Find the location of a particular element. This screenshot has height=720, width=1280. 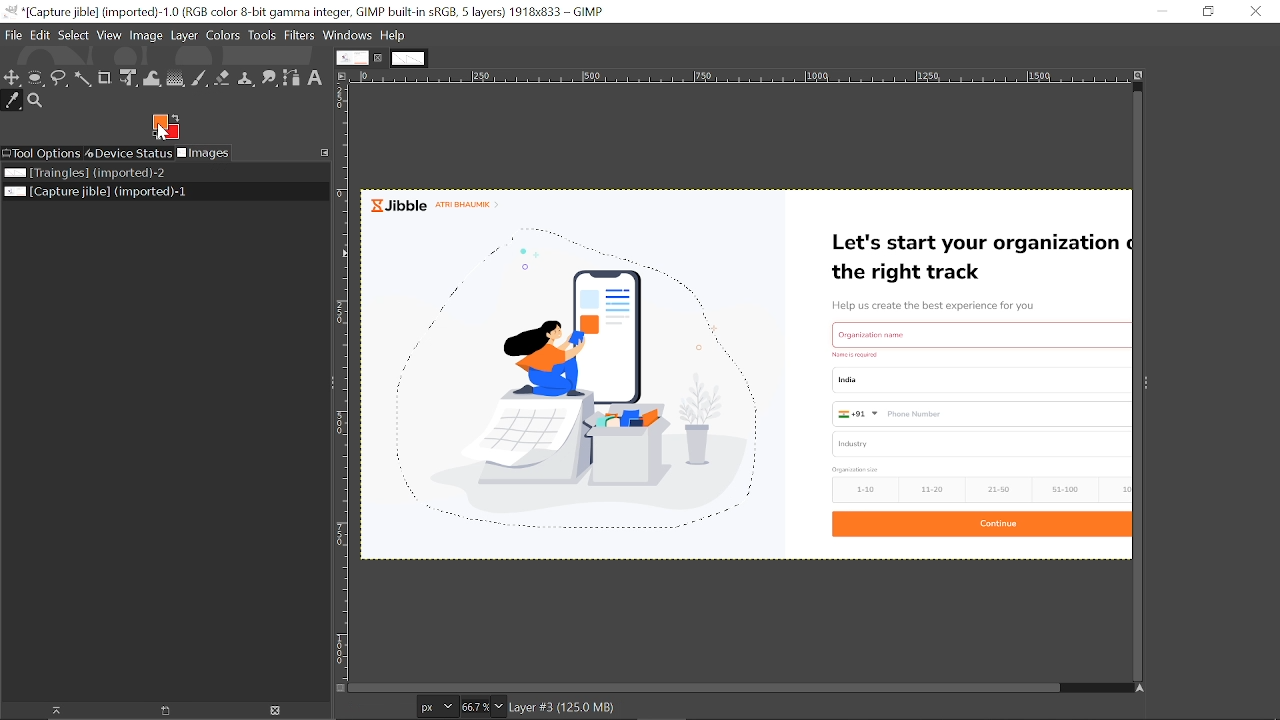

Crop tool is located at coordinates (105, 77).